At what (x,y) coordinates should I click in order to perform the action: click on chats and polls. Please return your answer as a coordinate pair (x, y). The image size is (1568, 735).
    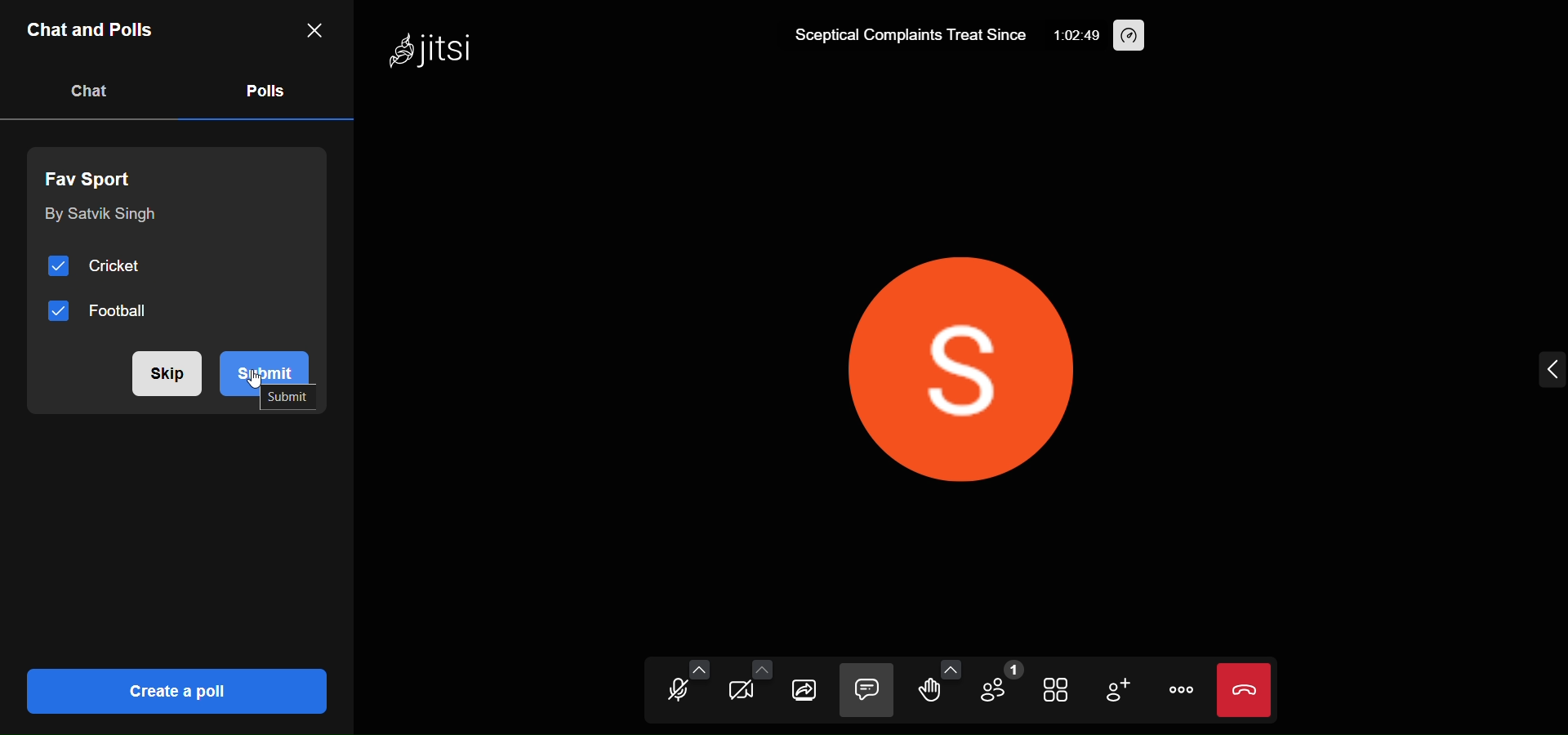
    Looking at the image, I should click on (93, 33).